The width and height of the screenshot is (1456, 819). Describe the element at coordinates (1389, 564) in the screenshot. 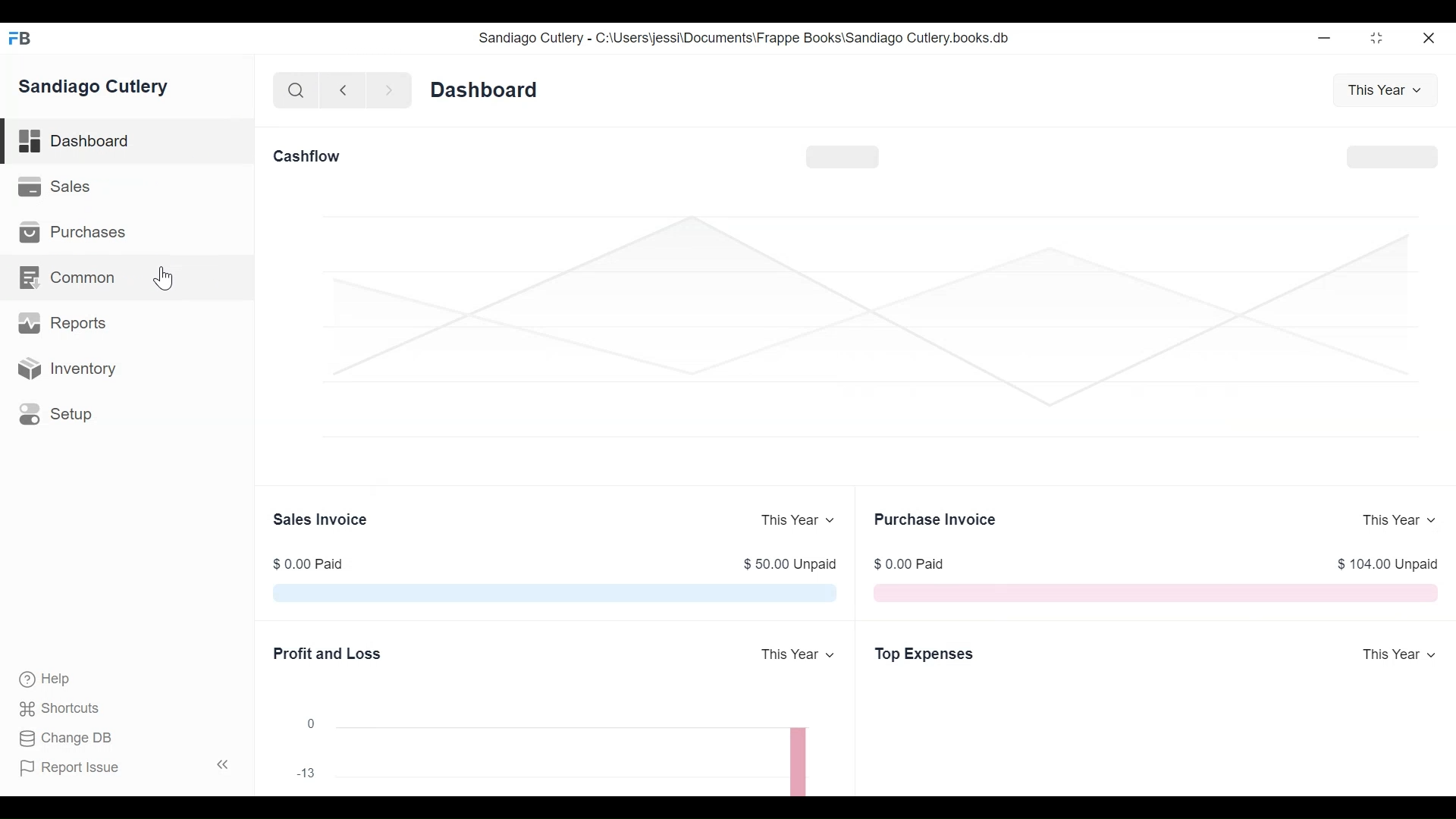

I see `$ 104.00 Unpaid` at that location.